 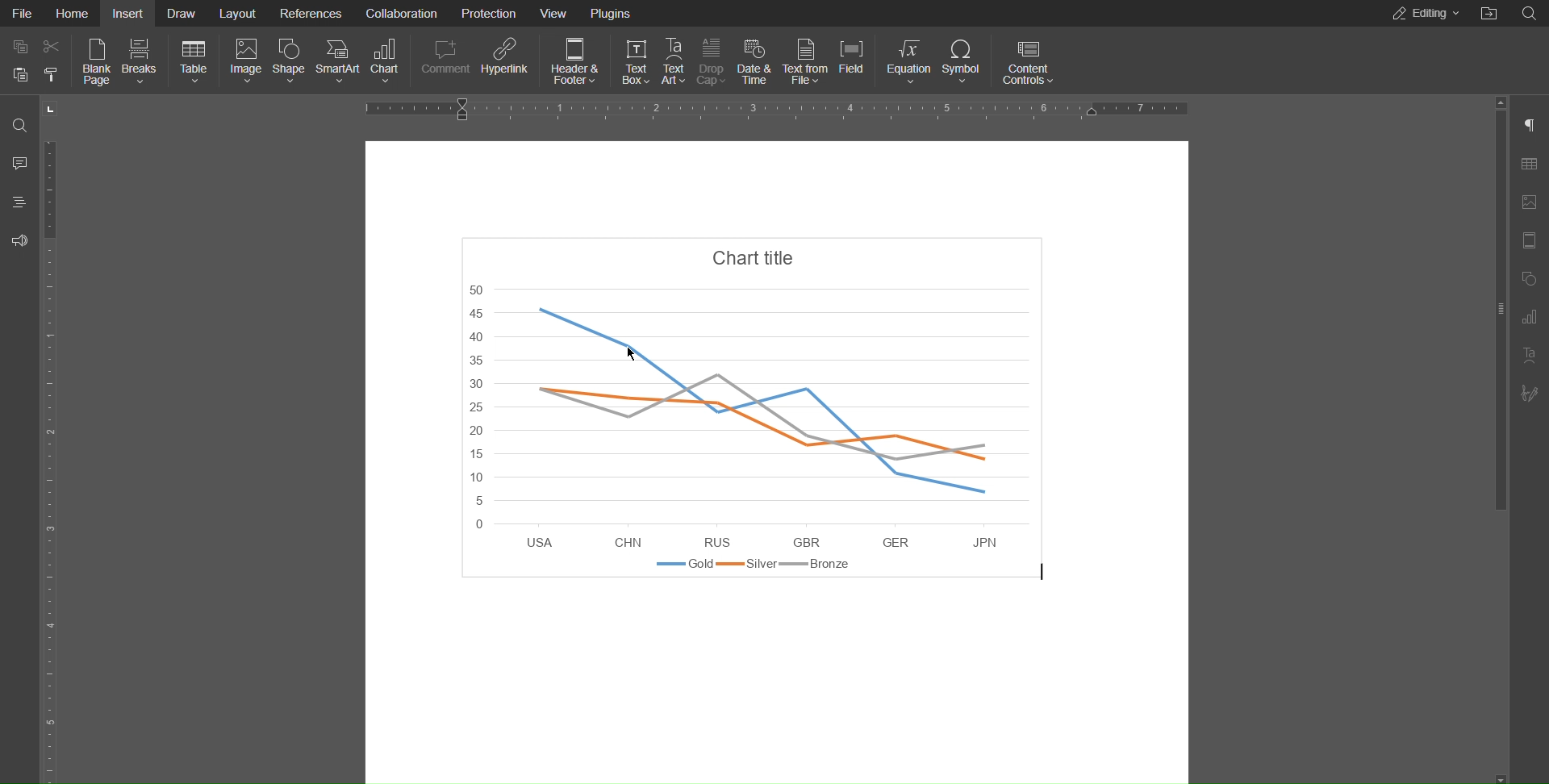 I want to click on Text Art, so click(x=672, y=60).